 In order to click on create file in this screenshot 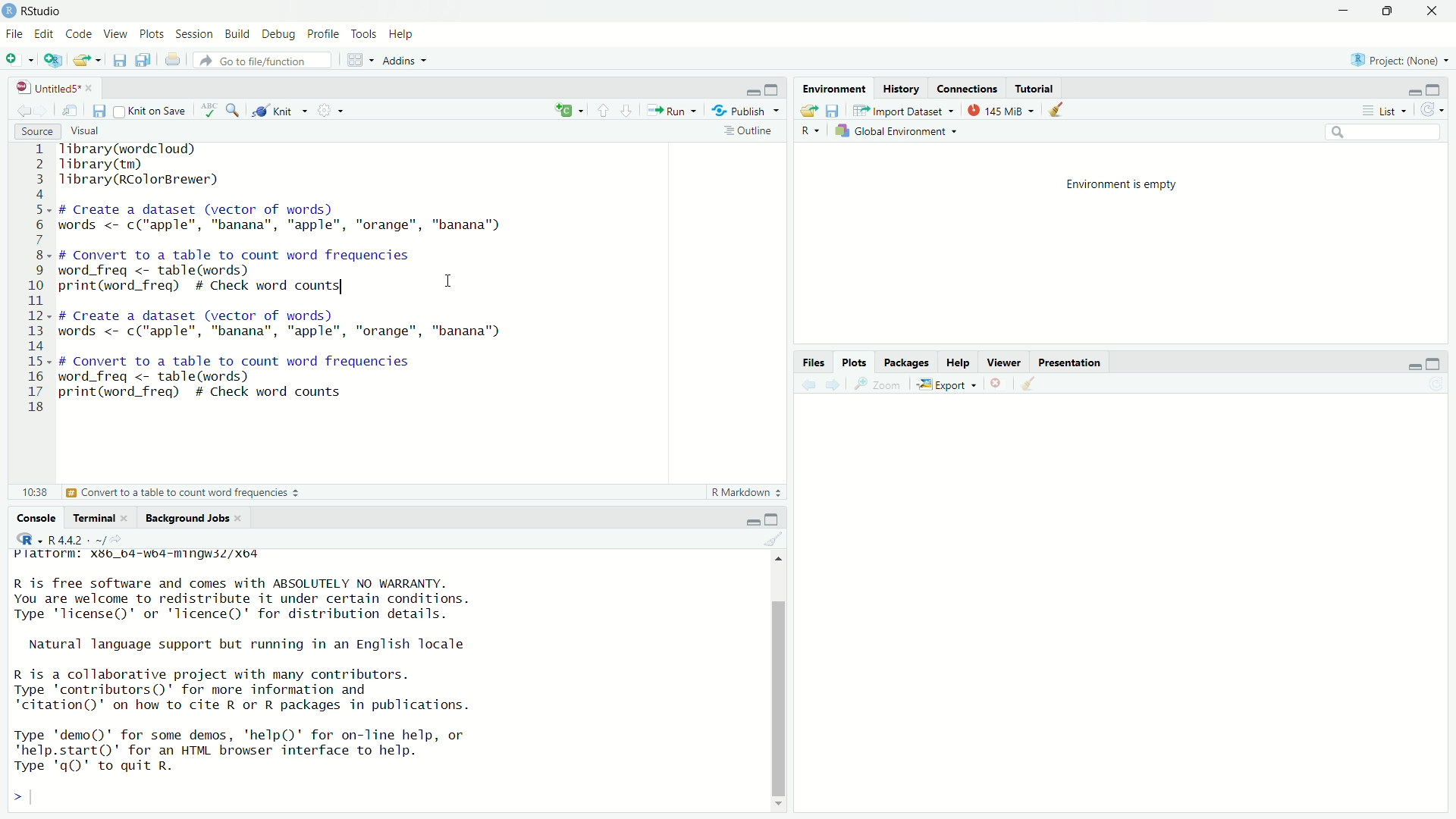, I will do `click(572, 111)`.